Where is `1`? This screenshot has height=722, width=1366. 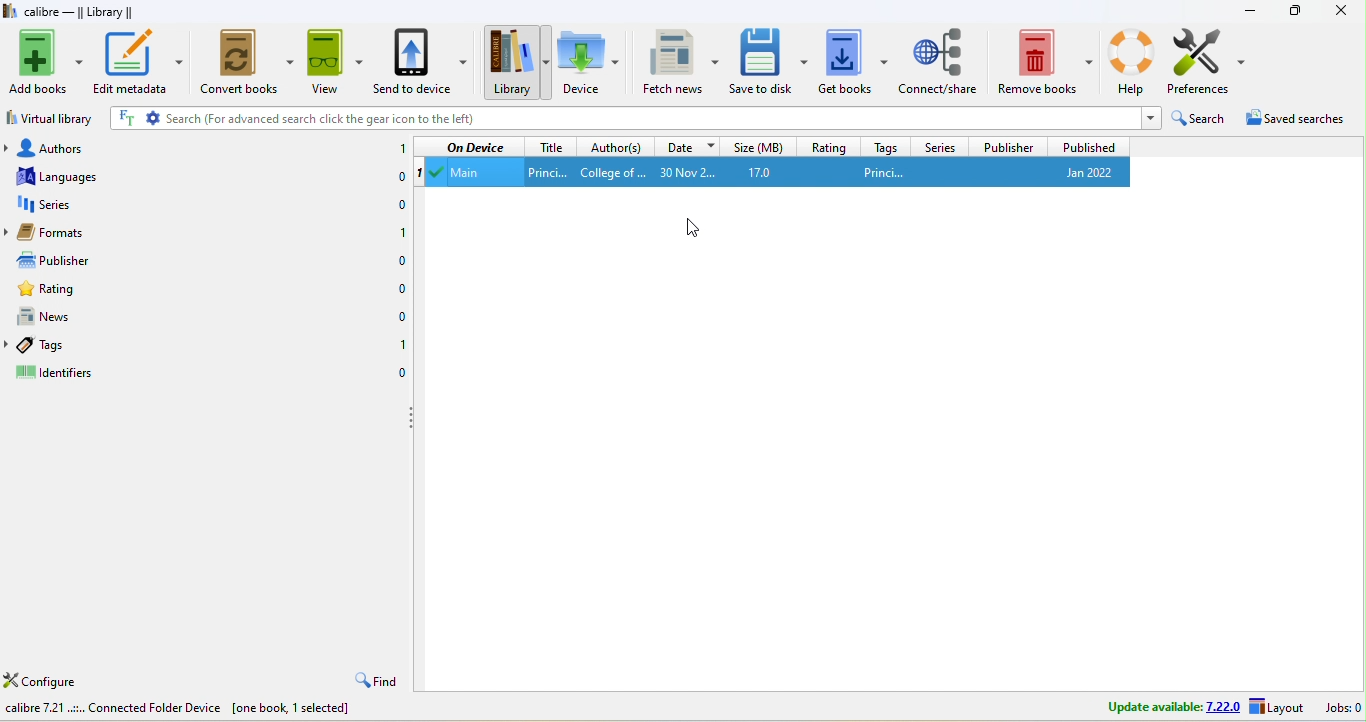
1 is located at coordinates (399, 149).